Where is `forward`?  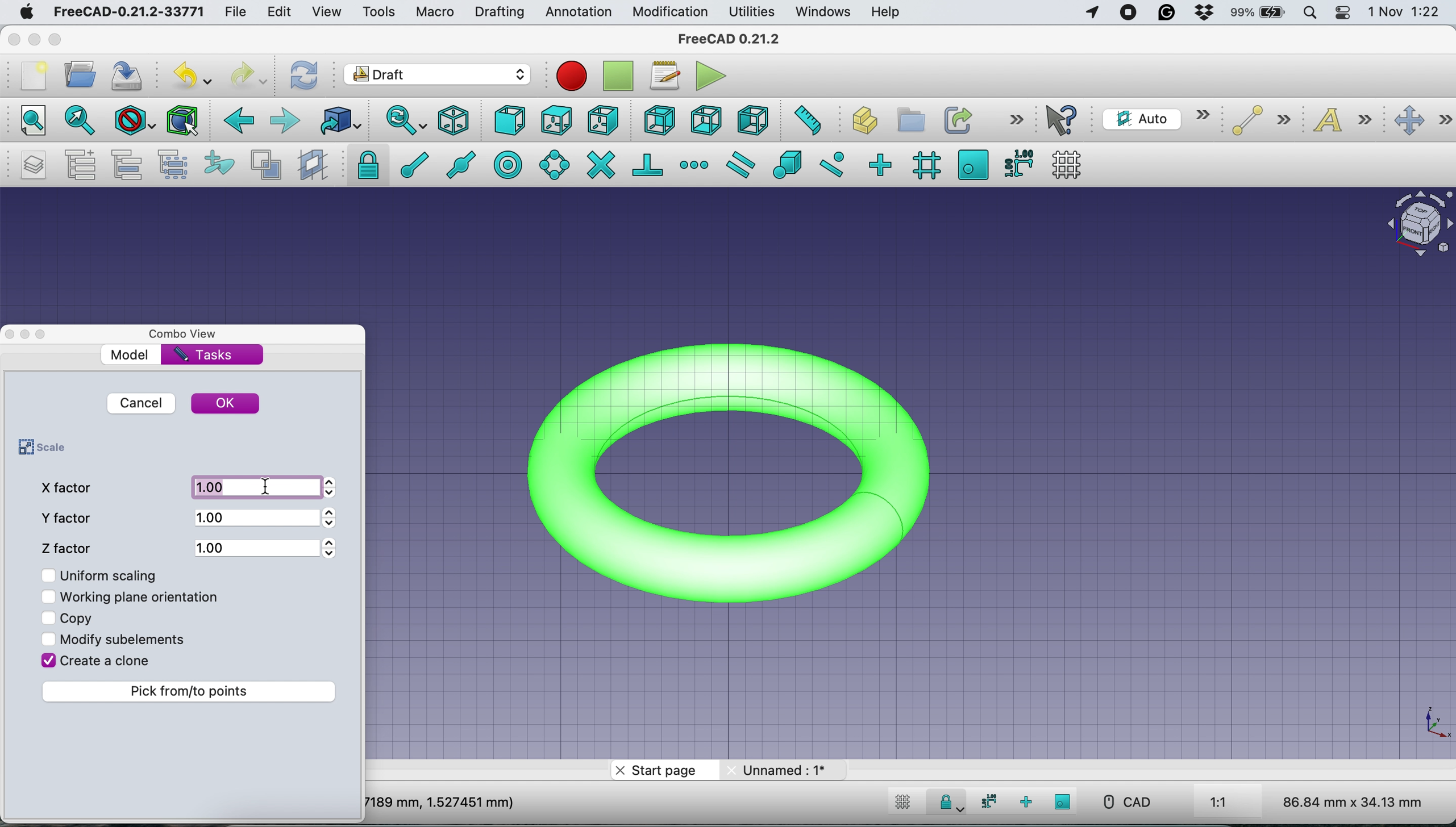
forward is located at coordinates (286, 122).